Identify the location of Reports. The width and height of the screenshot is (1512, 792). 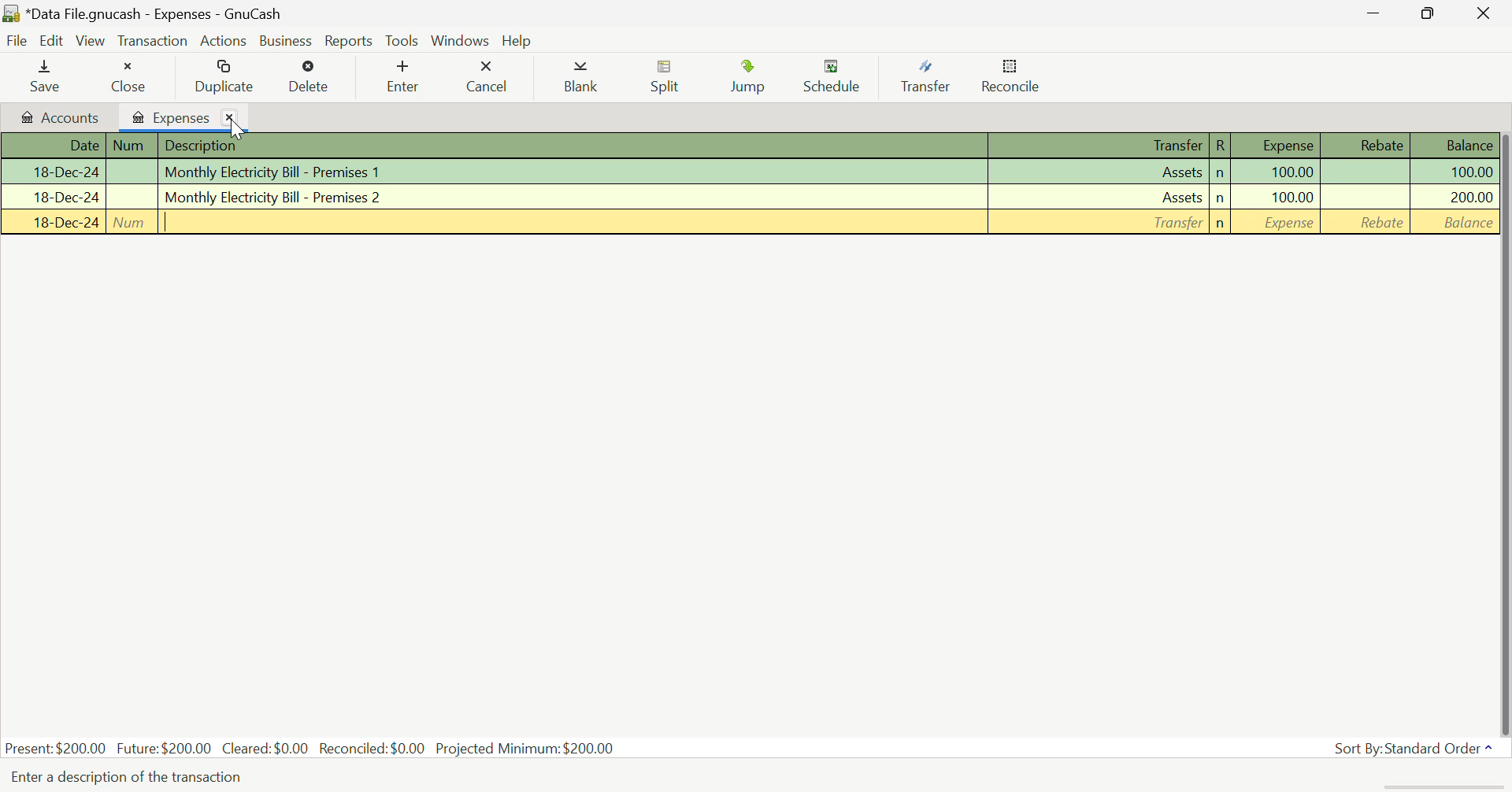
(349, 41).